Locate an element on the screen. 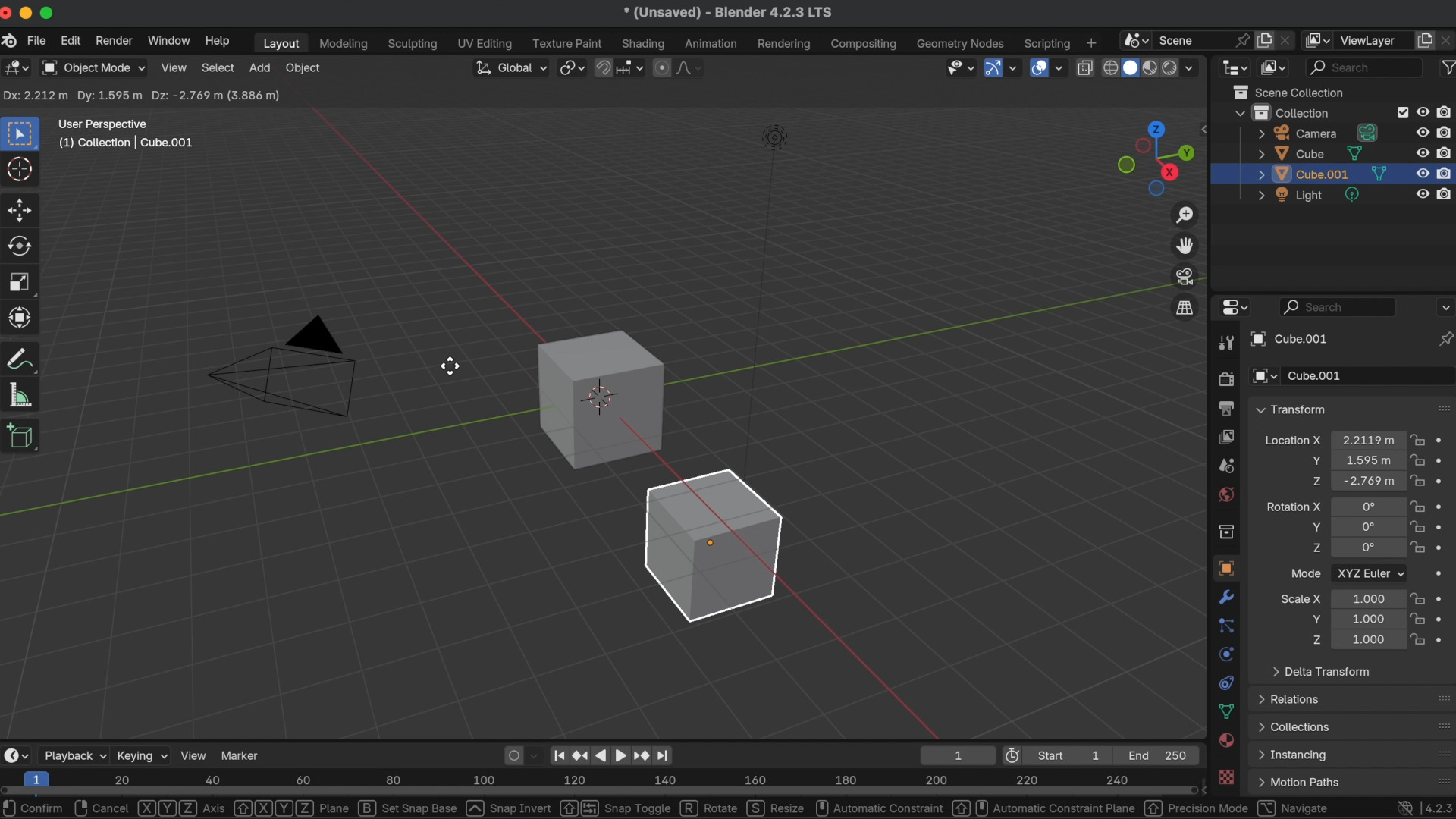 Image resolution: width=1456 pixels, height=819 pixels. geometry nodes is located at coordinates (962, 43).